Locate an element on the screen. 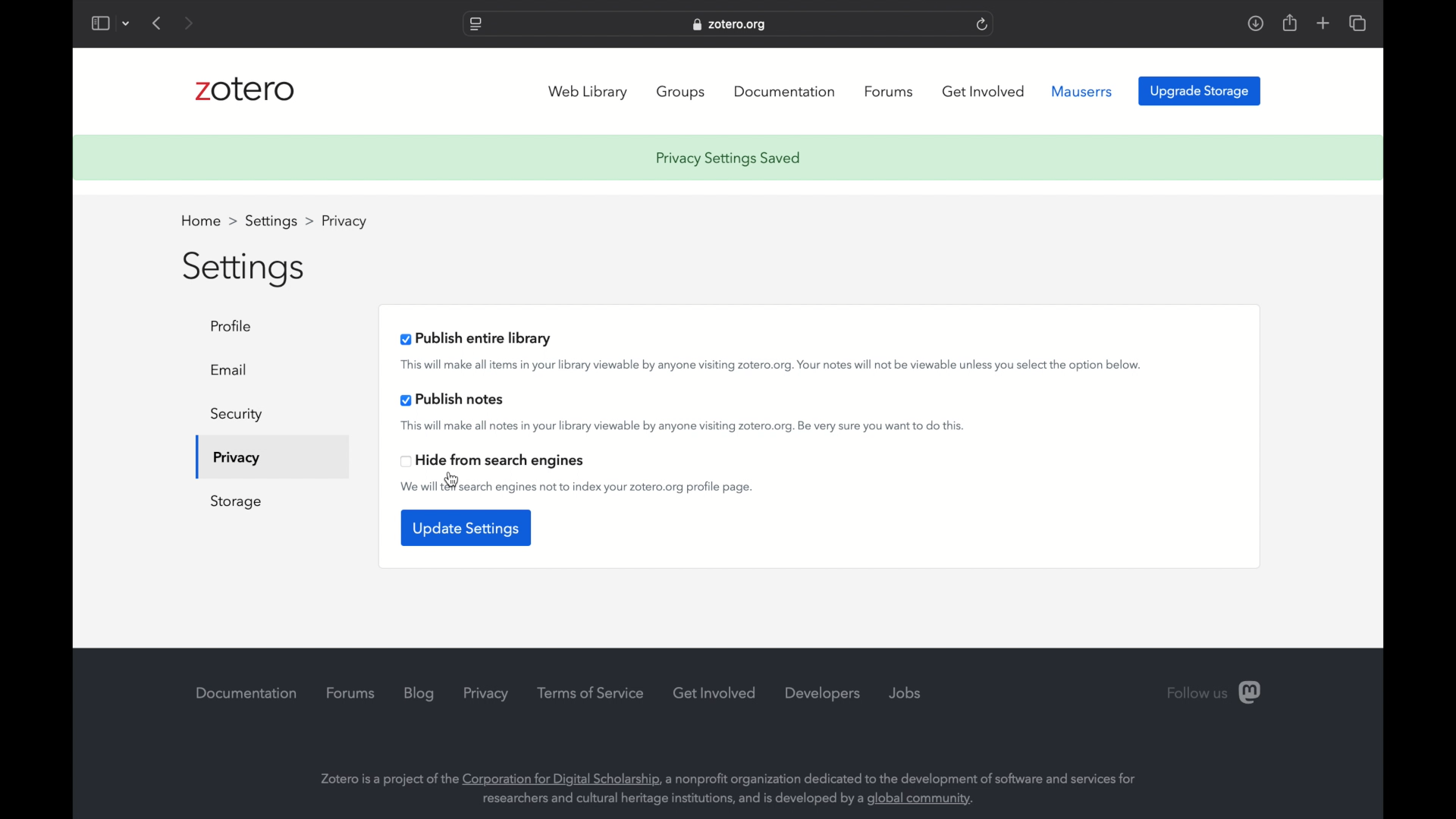  jobs is located at coordinates (918, 690).